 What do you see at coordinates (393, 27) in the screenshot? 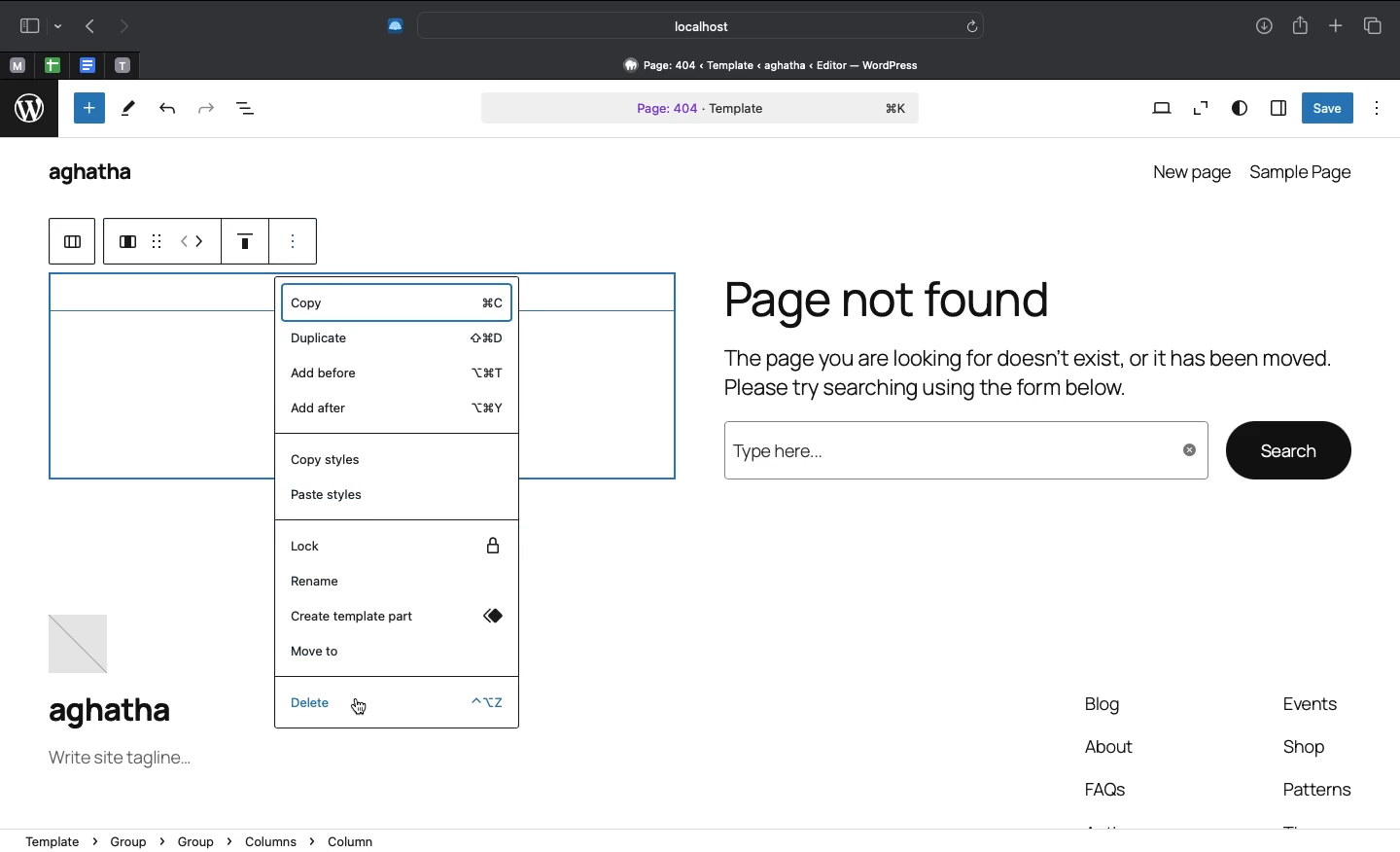
I see `Extensions` at bounding box center [393, 27].